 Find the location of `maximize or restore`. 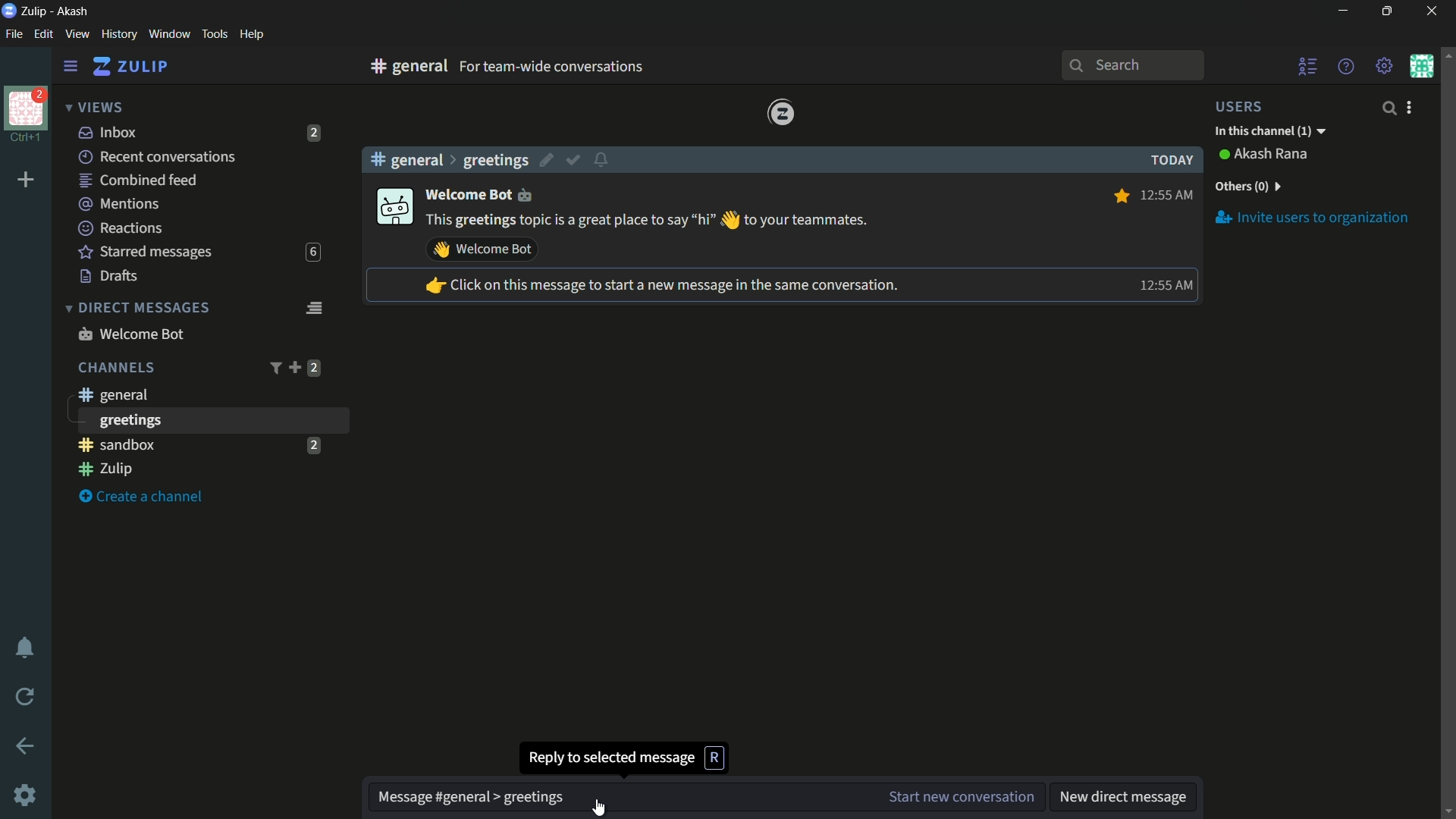

maximize or restore is located at coordinates (1389, 11).